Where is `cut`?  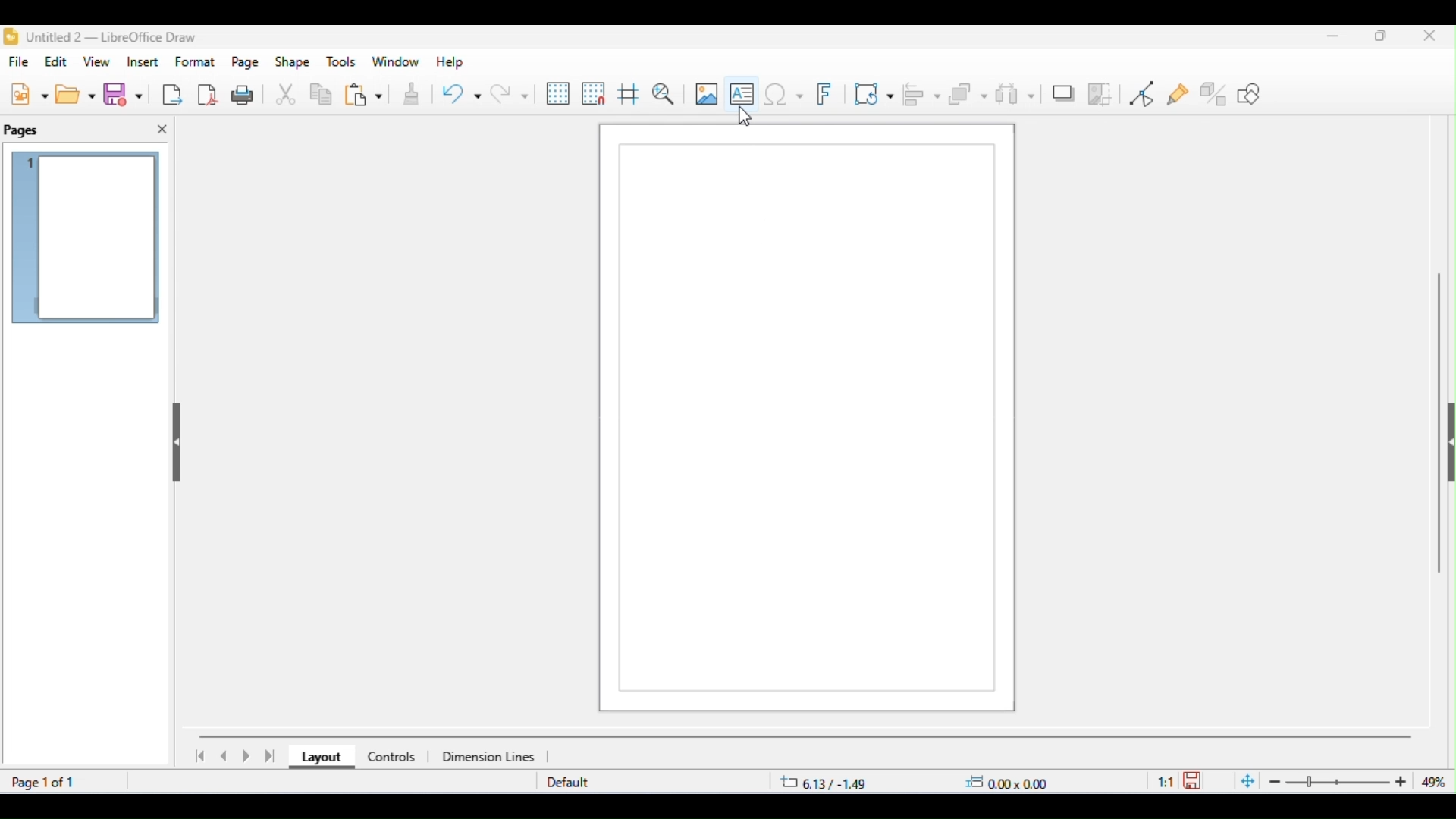 cut is located at coordinates (287, 96).